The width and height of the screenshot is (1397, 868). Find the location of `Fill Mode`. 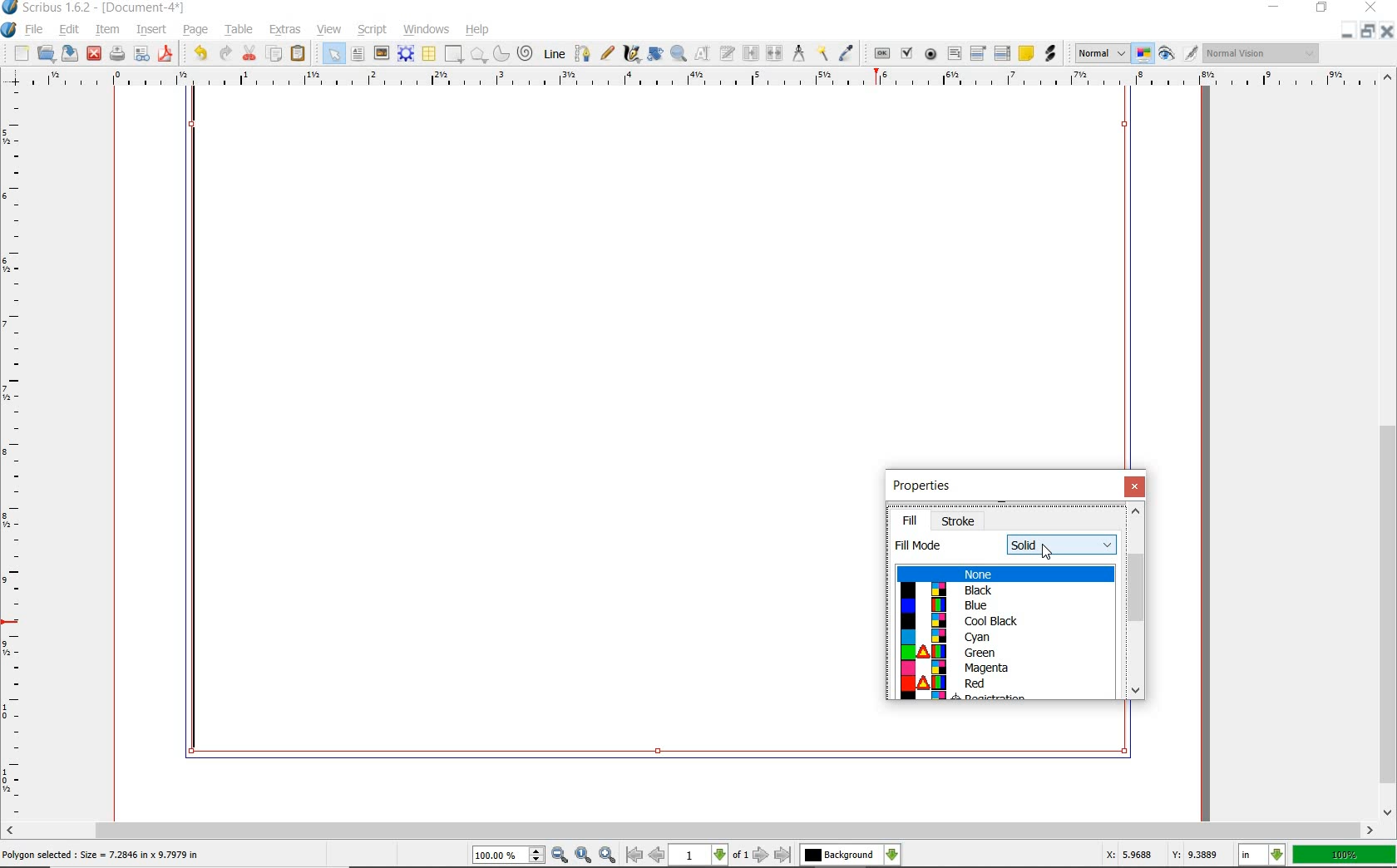

Fill Mode is located at coordinates (923, 546).